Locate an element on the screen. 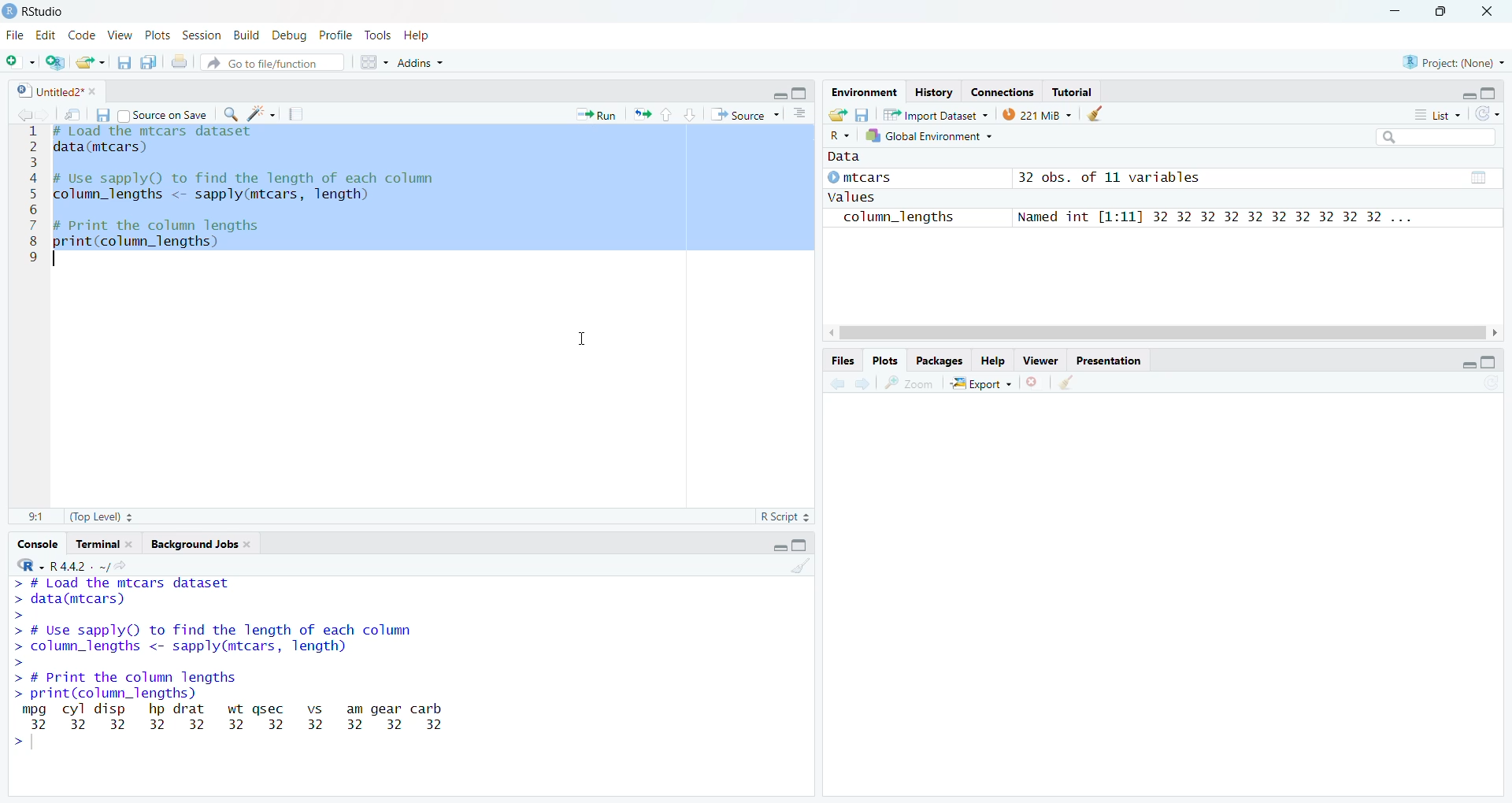 This screenshot has height=803, width=1512. Full Height is located at coordinates (1490, 361).